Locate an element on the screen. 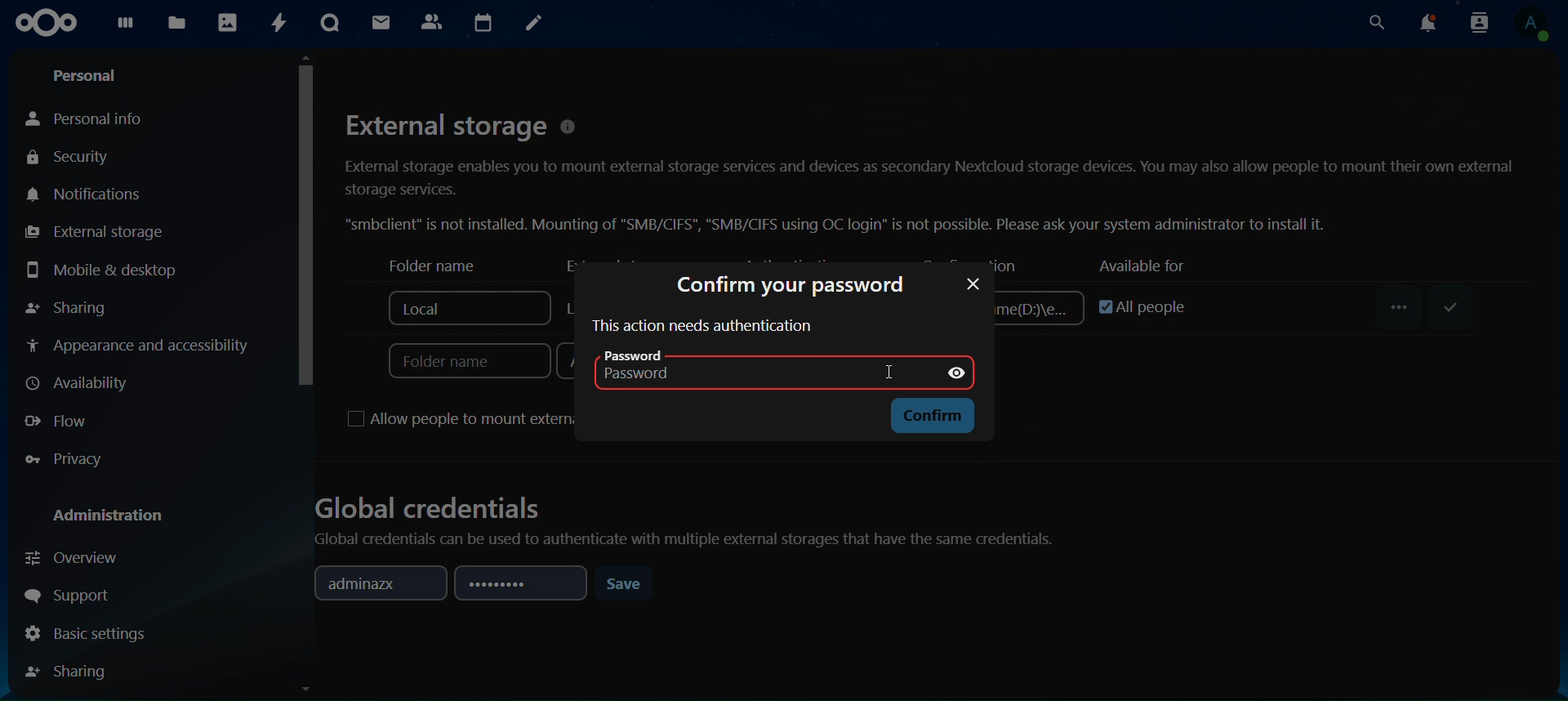 This screenshot has height=701, width=1568. password is located at coordinates (744, 368).